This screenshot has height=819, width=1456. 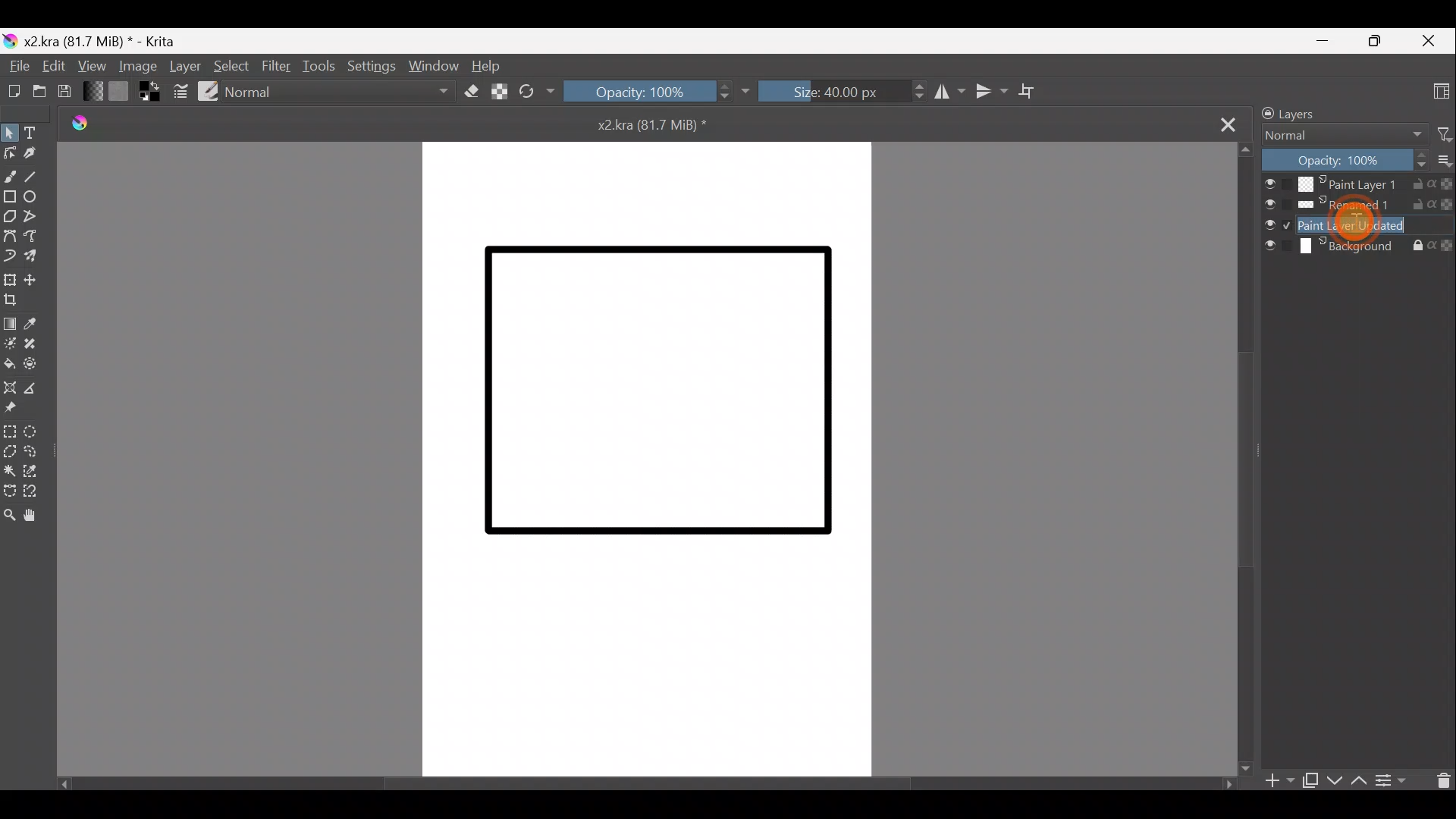 I want to click on Freehand brush tool, so click(x=10, y=174).